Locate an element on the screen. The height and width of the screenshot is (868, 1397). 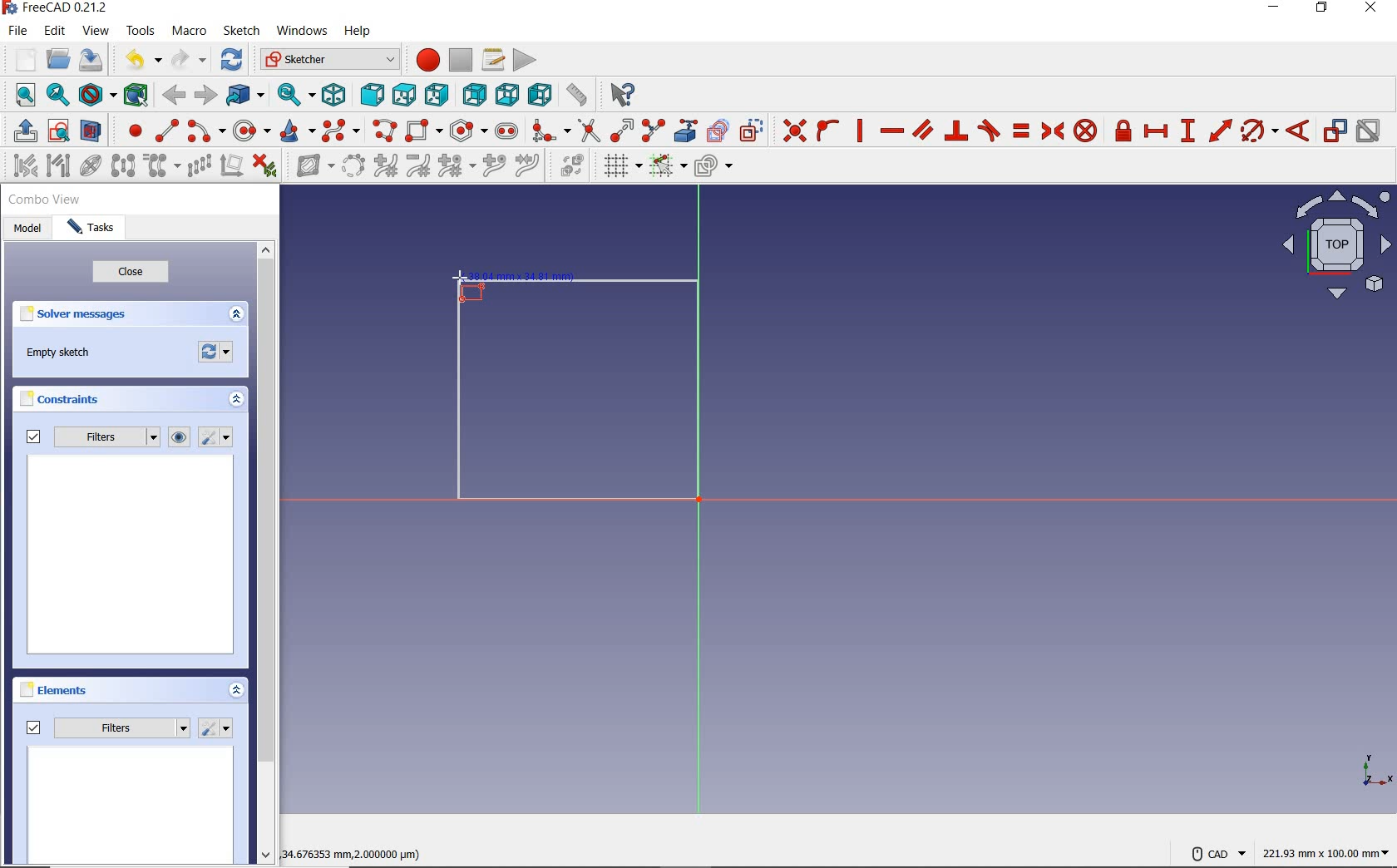
switch virtual space is located at coordinates (574, 168).